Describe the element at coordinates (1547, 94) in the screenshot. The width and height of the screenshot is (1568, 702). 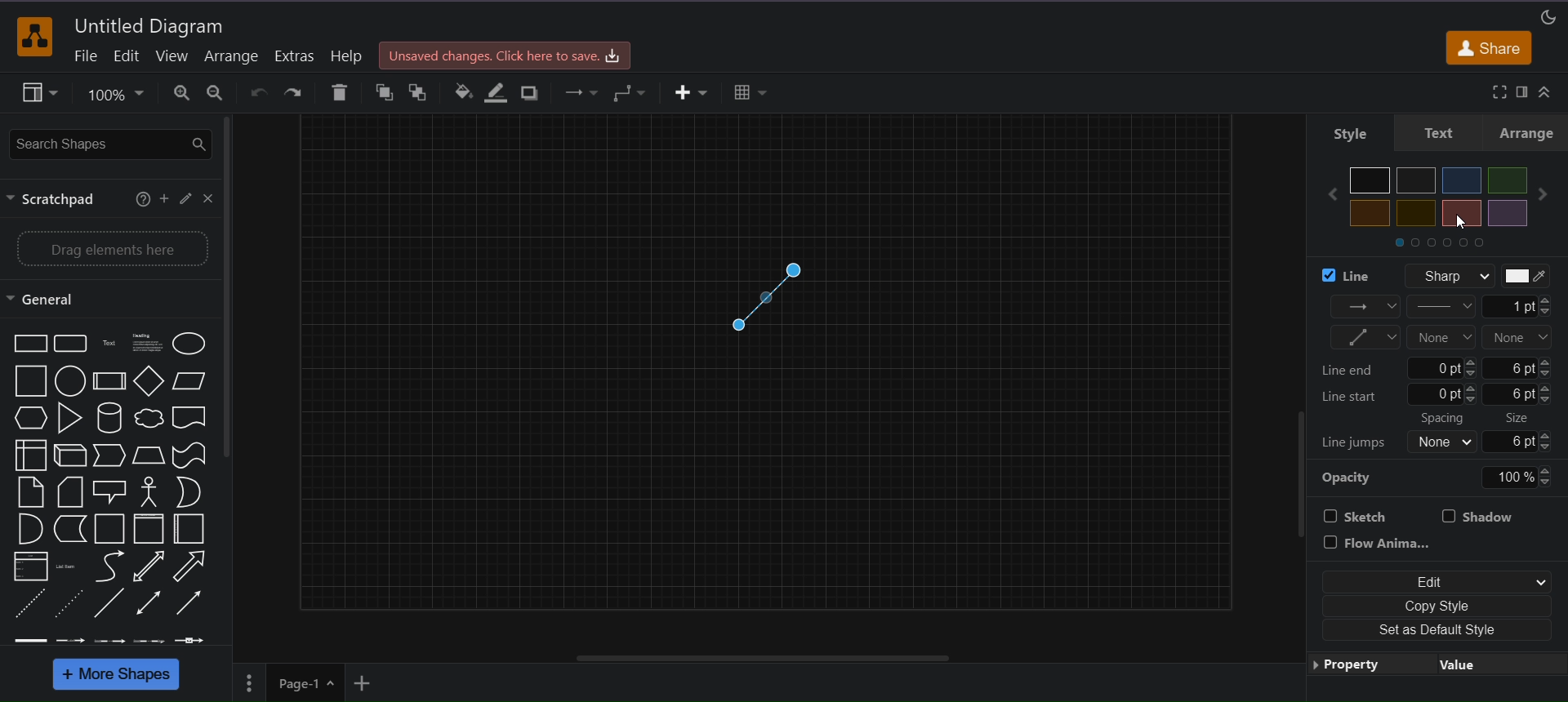
I see `collapse/expand` at that location.